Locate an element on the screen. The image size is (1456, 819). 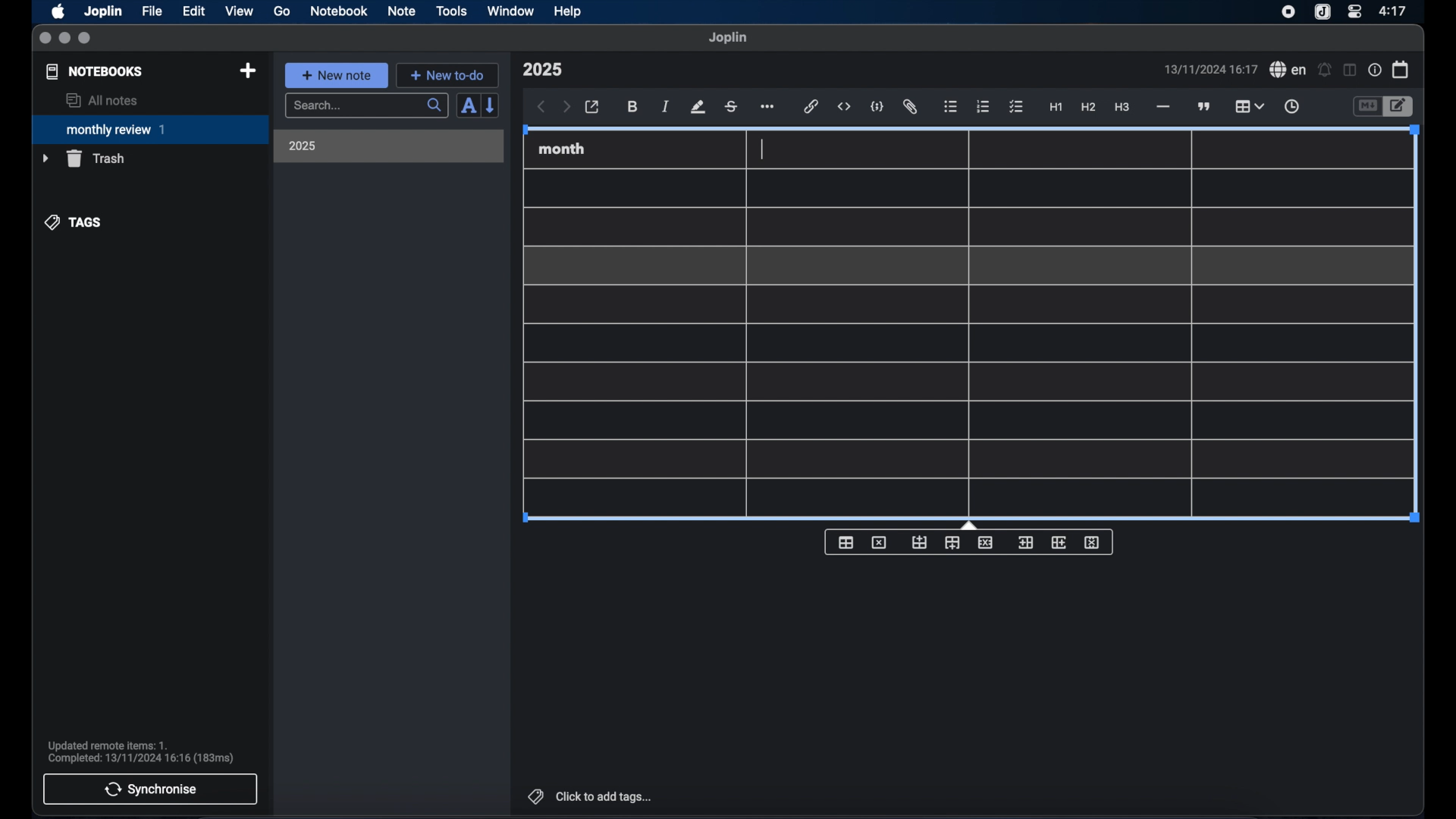
new notebook is located at coordinates (247, 71).